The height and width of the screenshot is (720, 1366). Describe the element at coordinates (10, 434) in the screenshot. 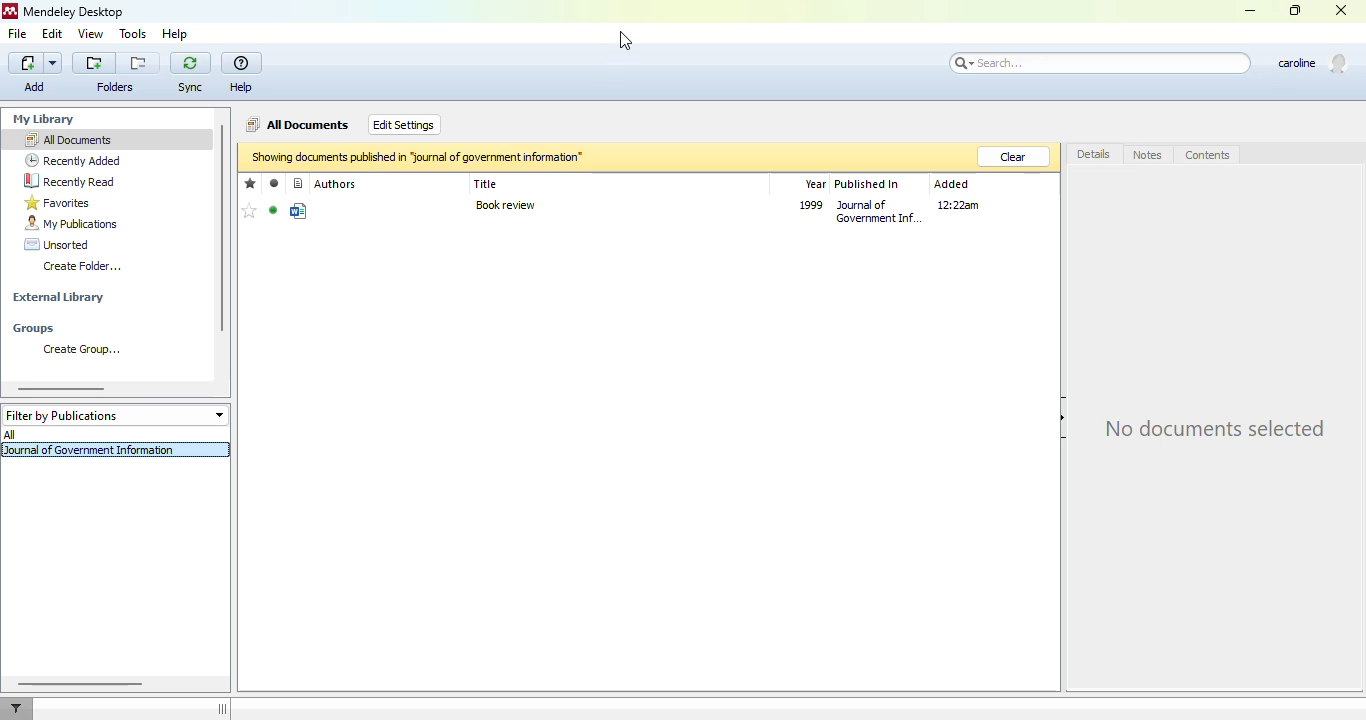

I see `all` at that location.